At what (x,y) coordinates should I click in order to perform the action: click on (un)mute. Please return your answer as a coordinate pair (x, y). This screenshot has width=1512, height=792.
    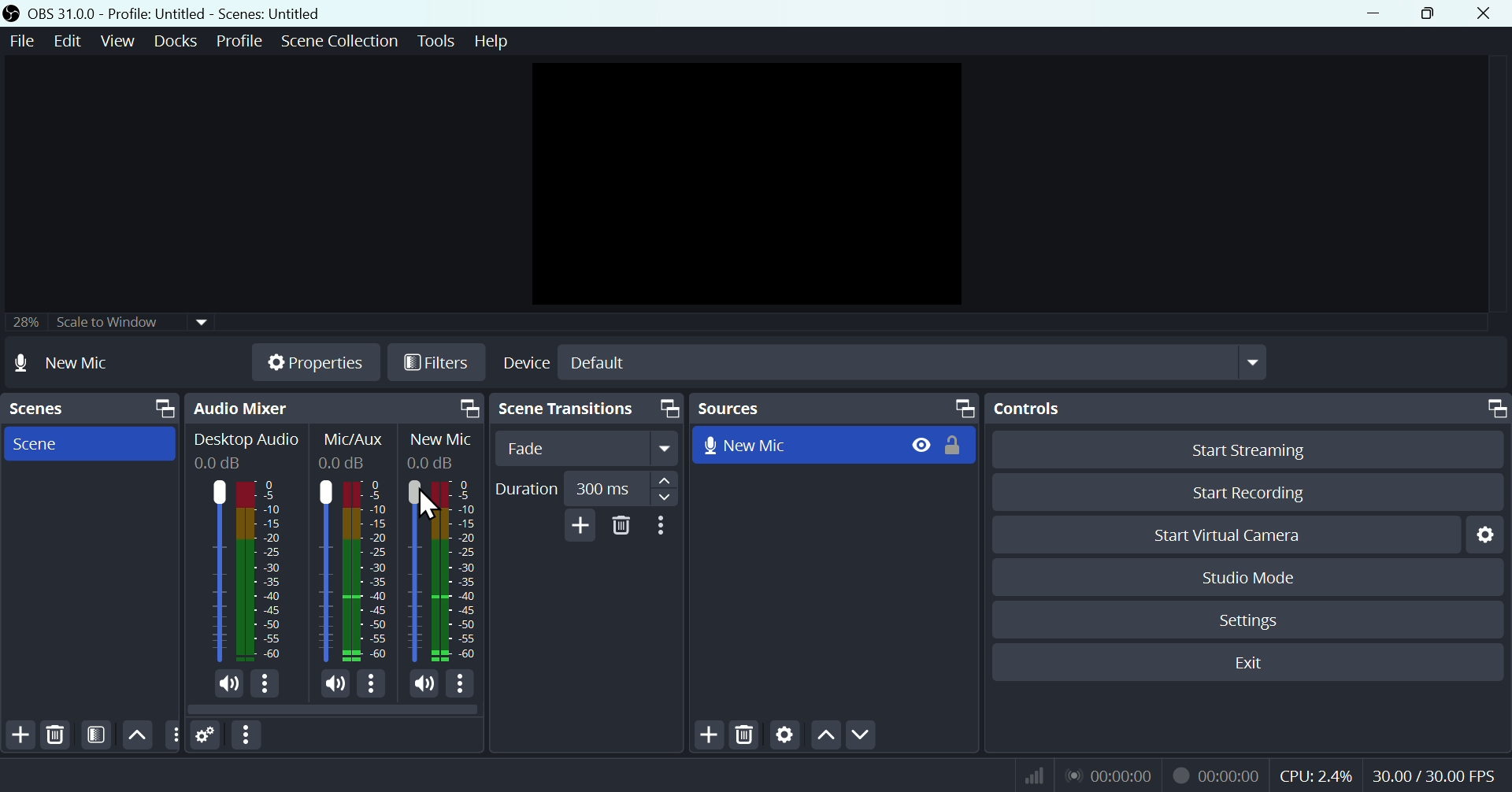
    Looking at the image, I should click on (331, 686).